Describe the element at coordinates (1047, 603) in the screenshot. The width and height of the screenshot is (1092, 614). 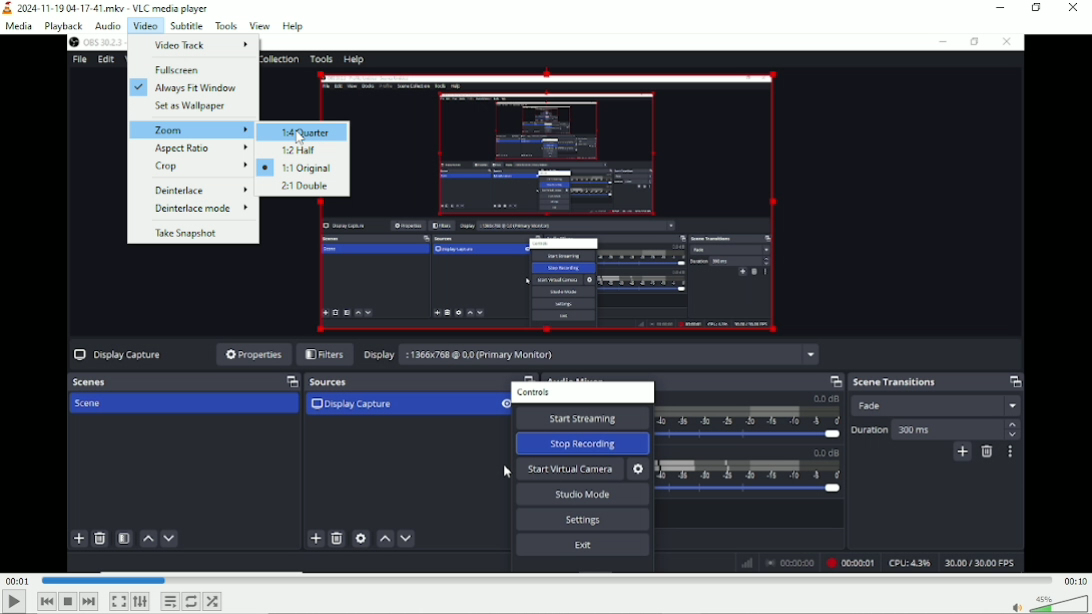
I see `Volume` at that location.